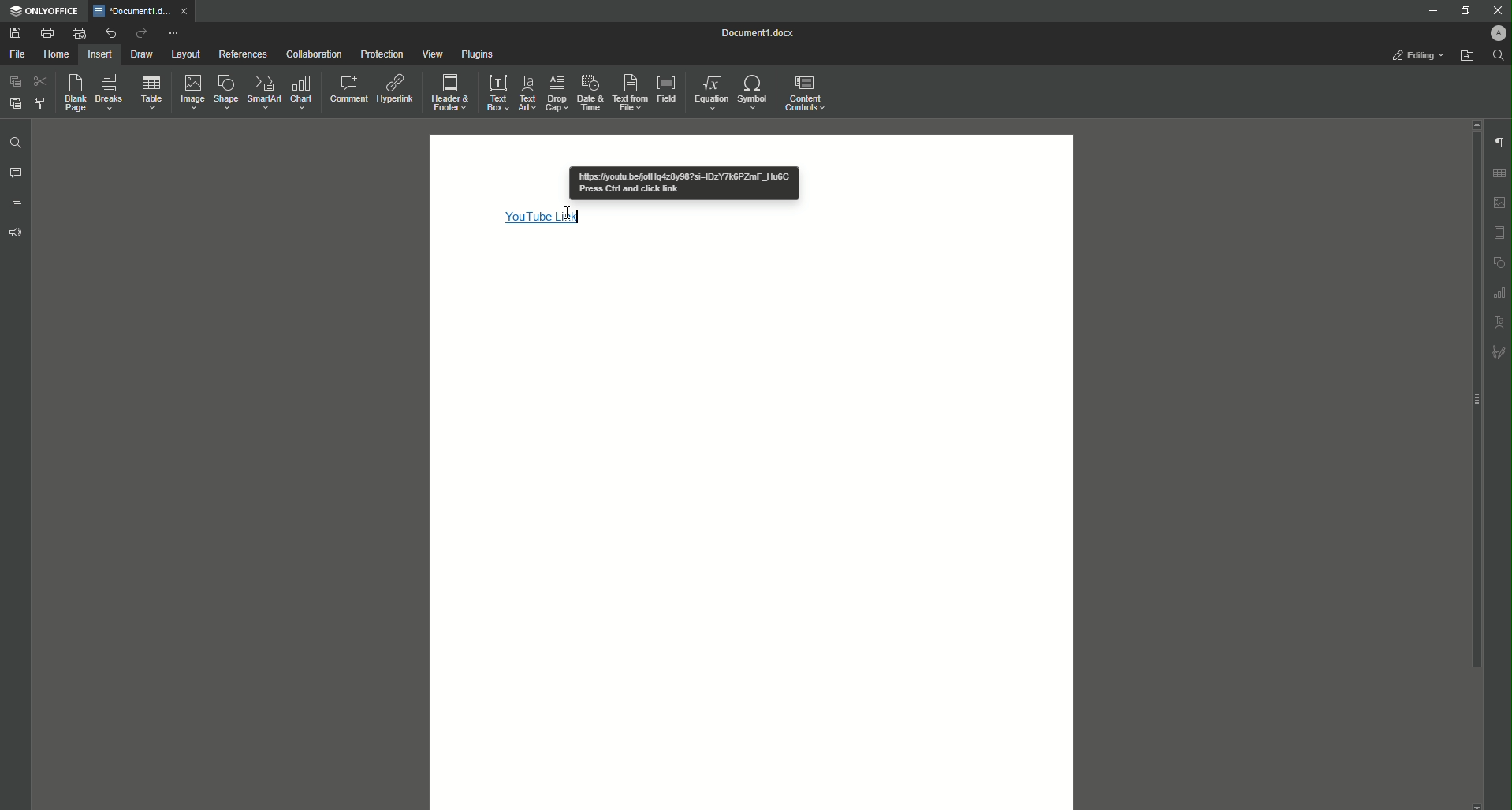 The width and height of the screenshot is (1512, 810). I want to click on scroll down, so click(1478, 805).